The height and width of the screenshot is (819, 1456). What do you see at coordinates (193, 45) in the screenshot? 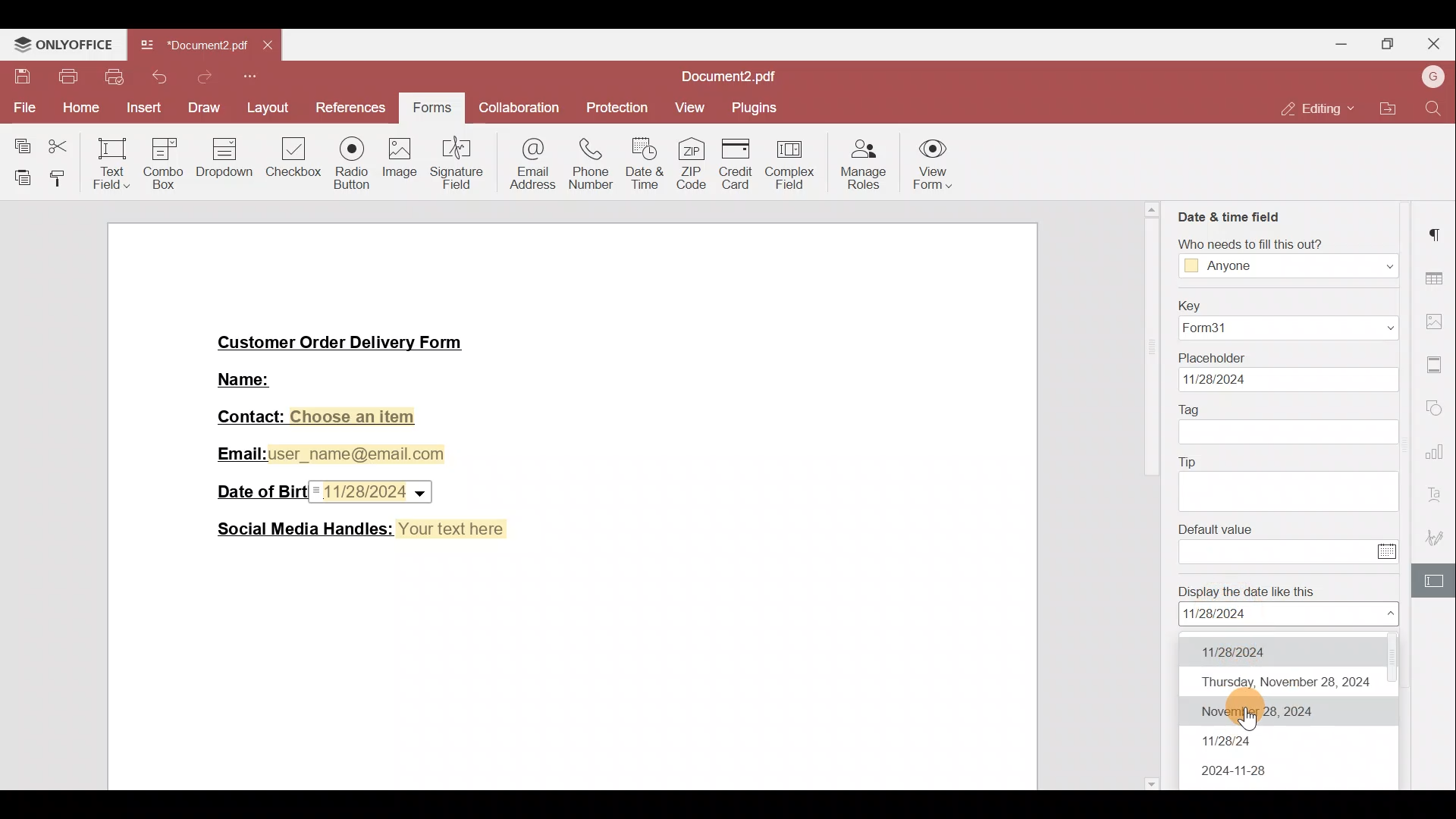
I see `Document2.pdf` at bounding box center [193, 45].